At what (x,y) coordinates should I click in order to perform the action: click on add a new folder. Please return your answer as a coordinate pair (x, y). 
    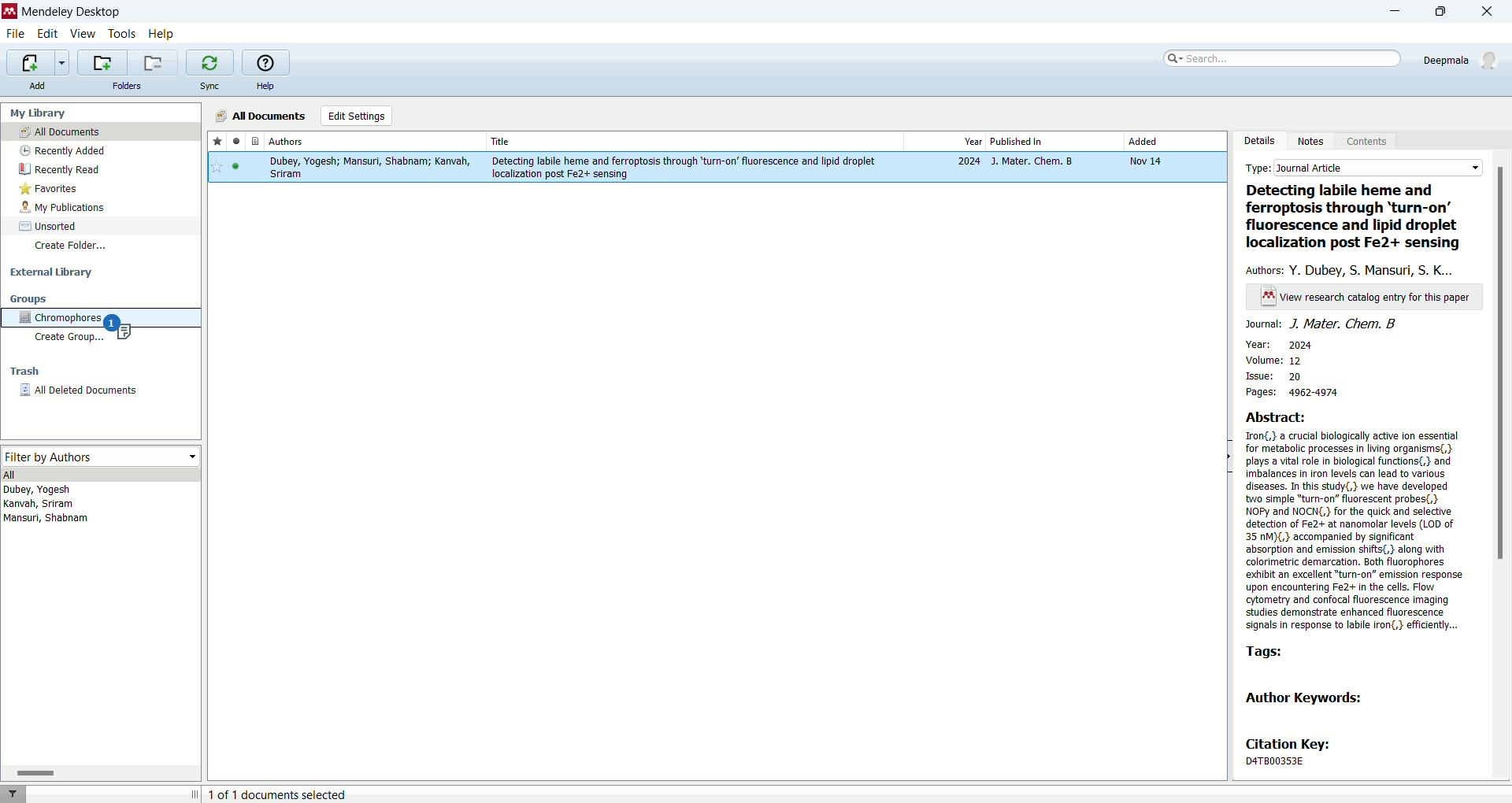
    Looking at the image, I should click on (102, 62).